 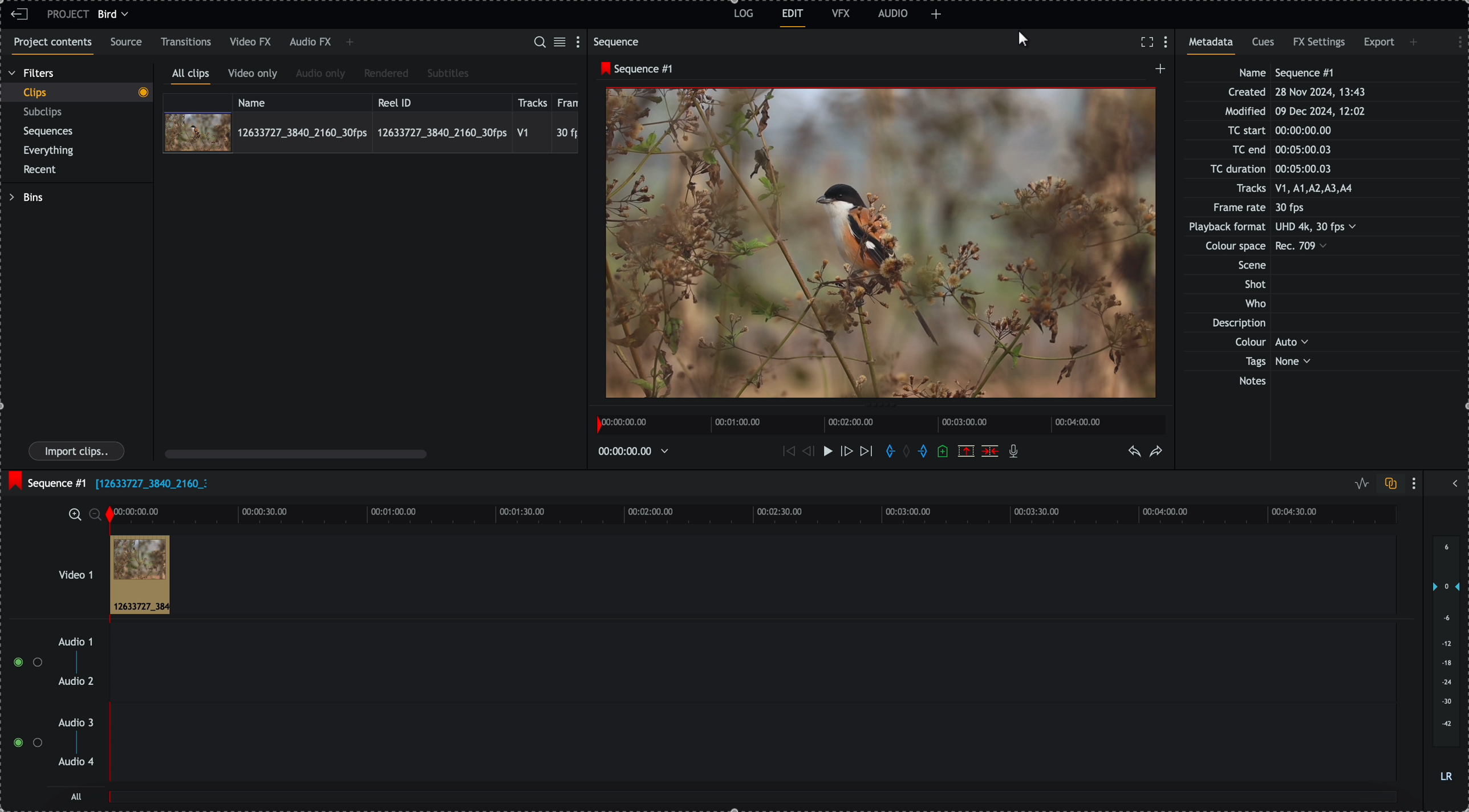 I want to click on delete/cut, so click(x=990, y=451).